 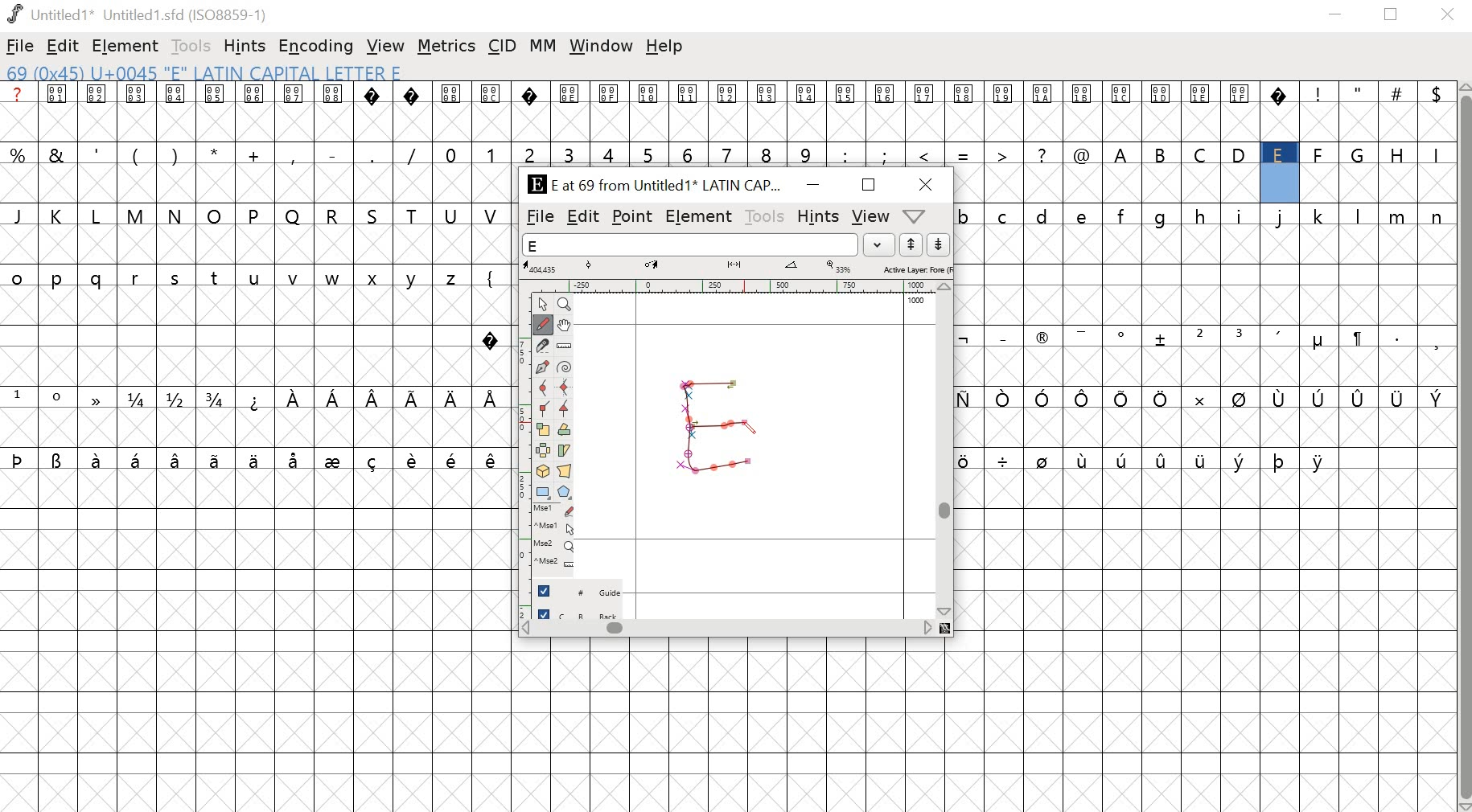 I want to click on special characters, so click(x=253, y=459).